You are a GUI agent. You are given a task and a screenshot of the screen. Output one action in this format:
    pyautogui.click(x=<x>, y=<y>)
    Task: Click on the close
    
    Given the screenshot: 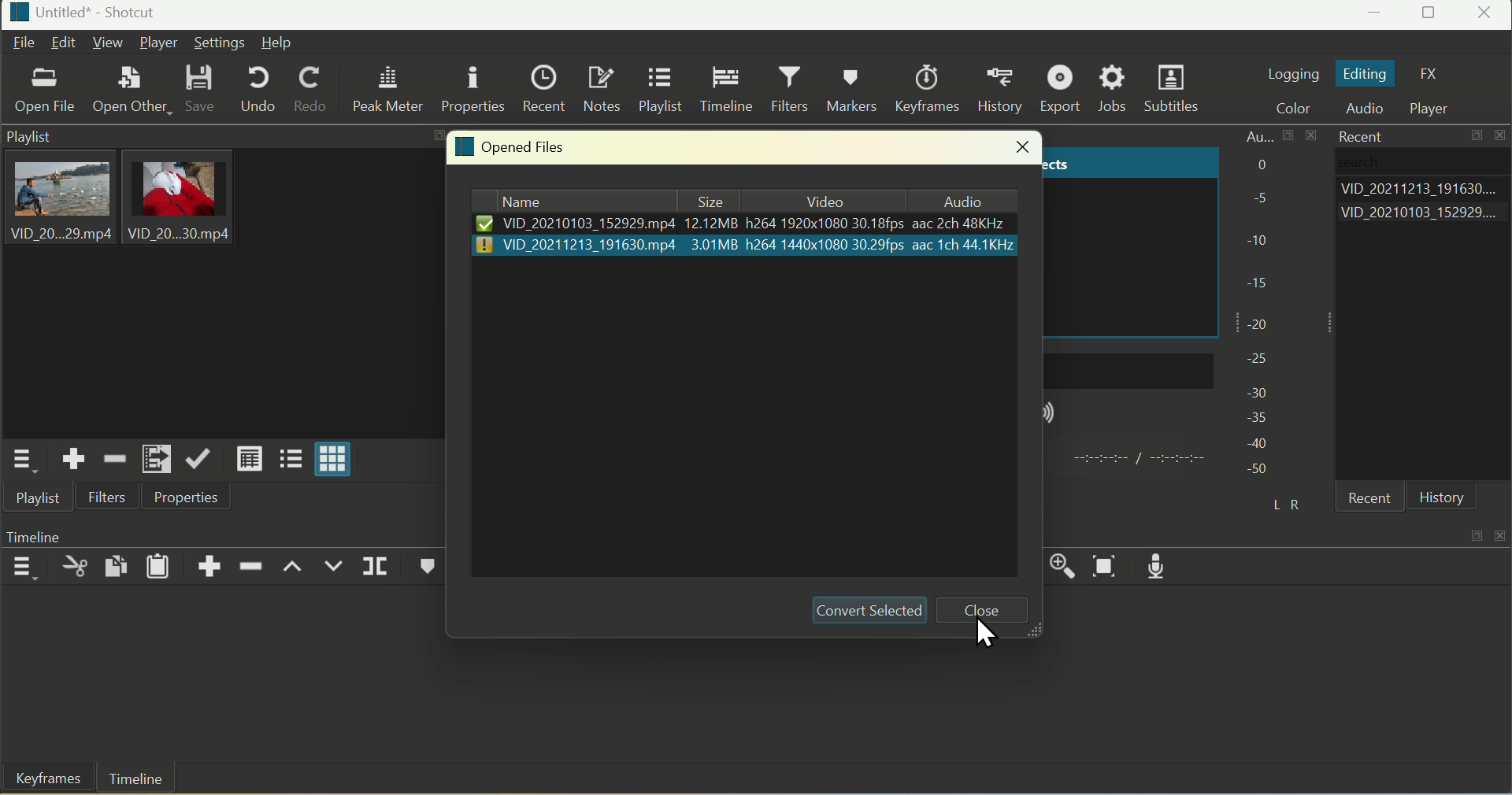 What is the action you would take?
    pyautogui.click(x=986, y=611)
    